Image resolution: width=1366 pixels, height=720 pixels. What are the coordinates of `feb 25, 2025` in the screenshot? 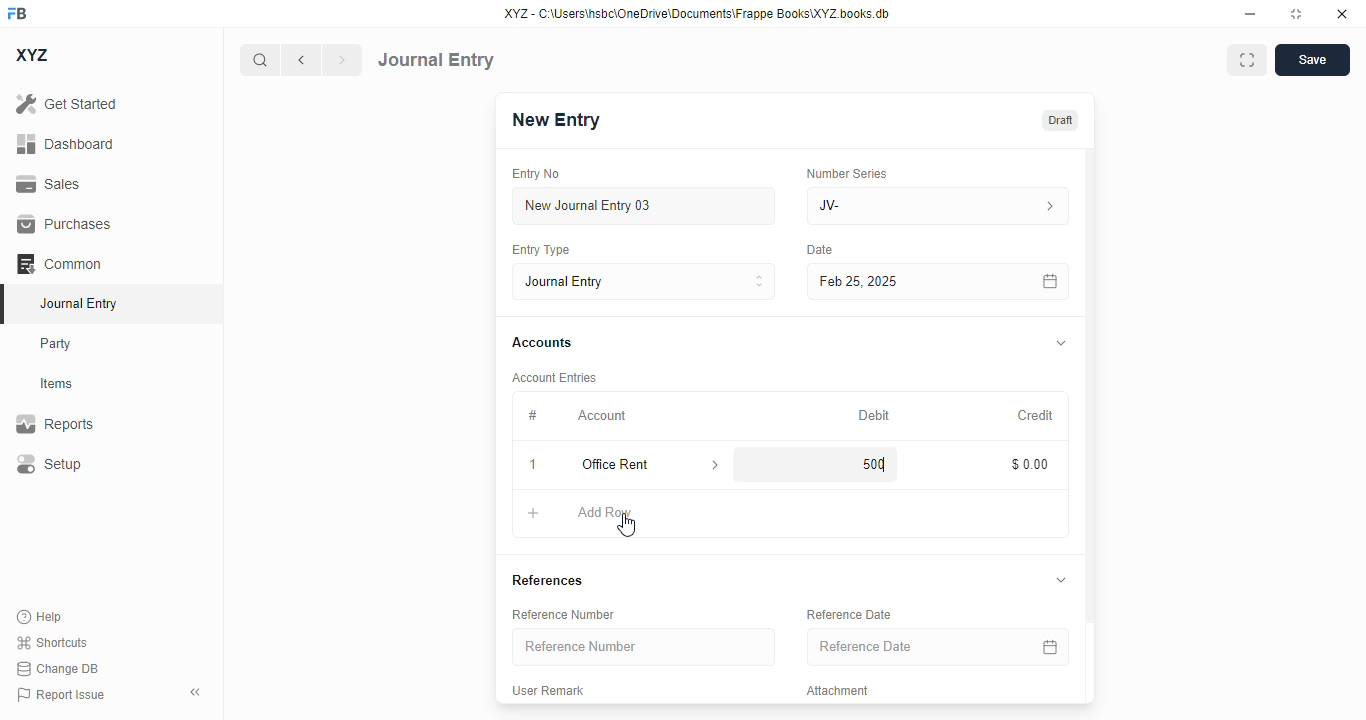 It's located at (910, 282).